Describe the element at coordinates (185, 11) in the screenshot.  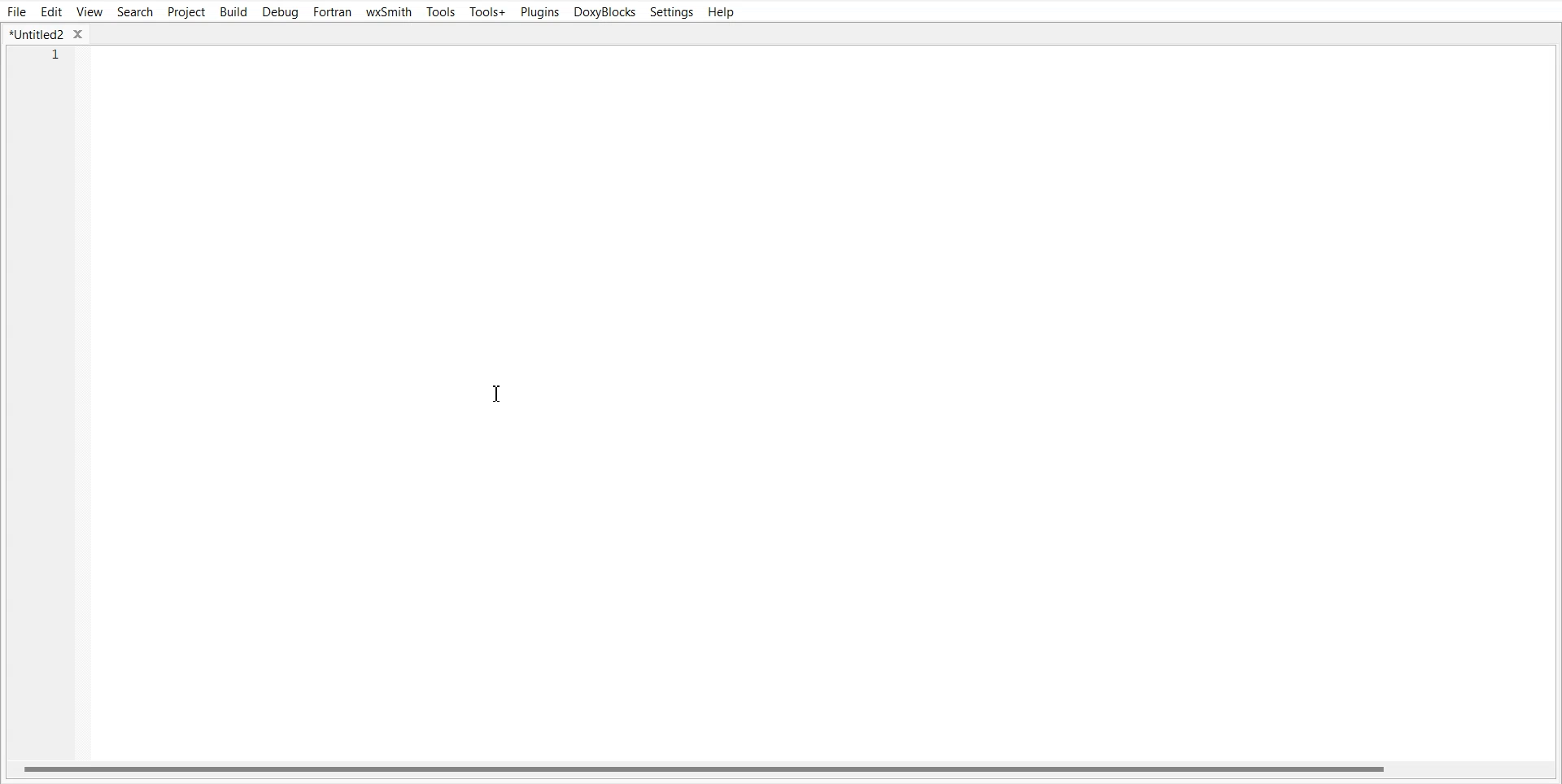
I see `Project` at that location.